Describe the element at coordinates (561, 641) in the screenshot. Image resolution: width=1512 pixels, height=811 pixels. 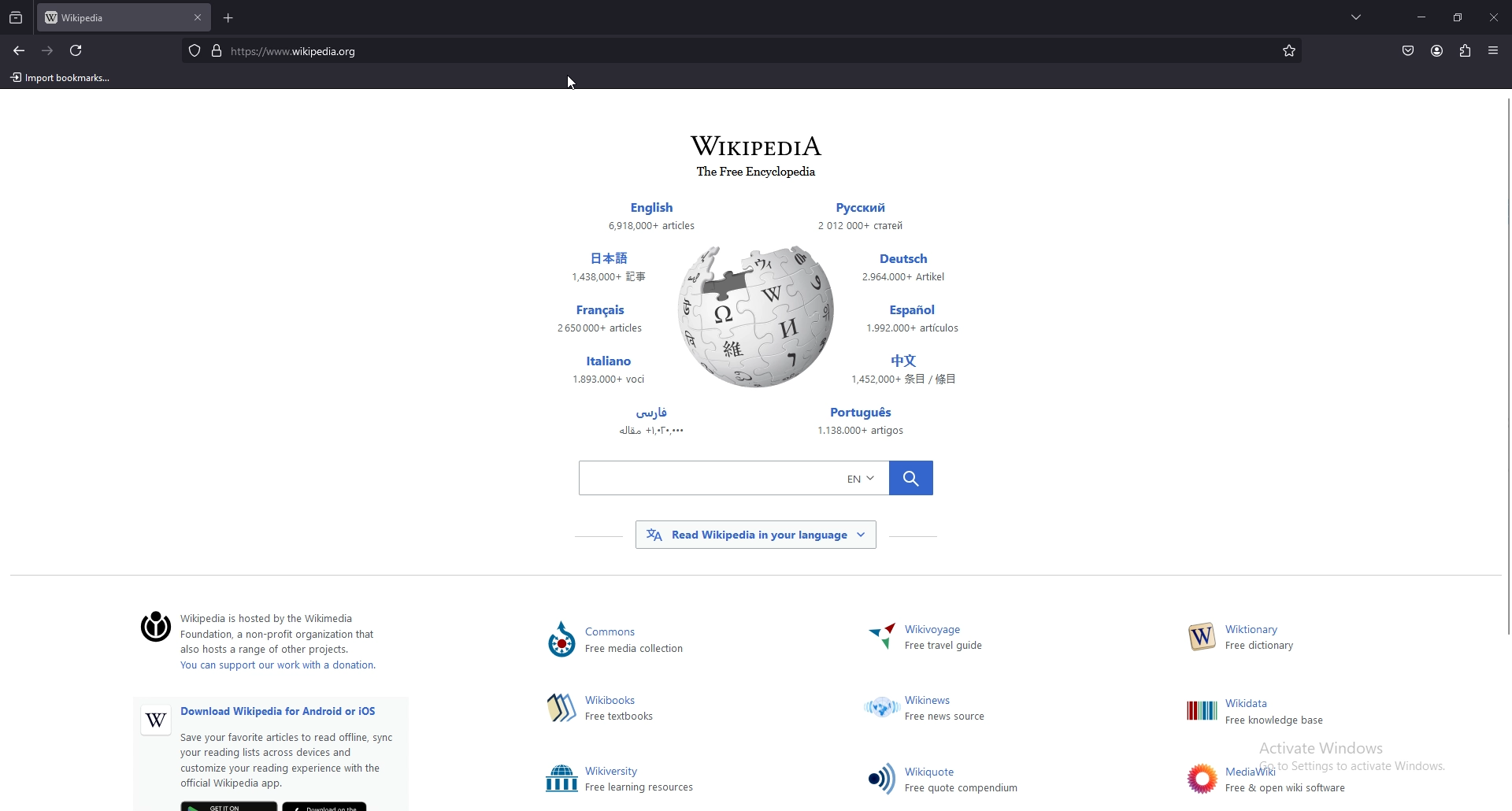
I see `` at that location.